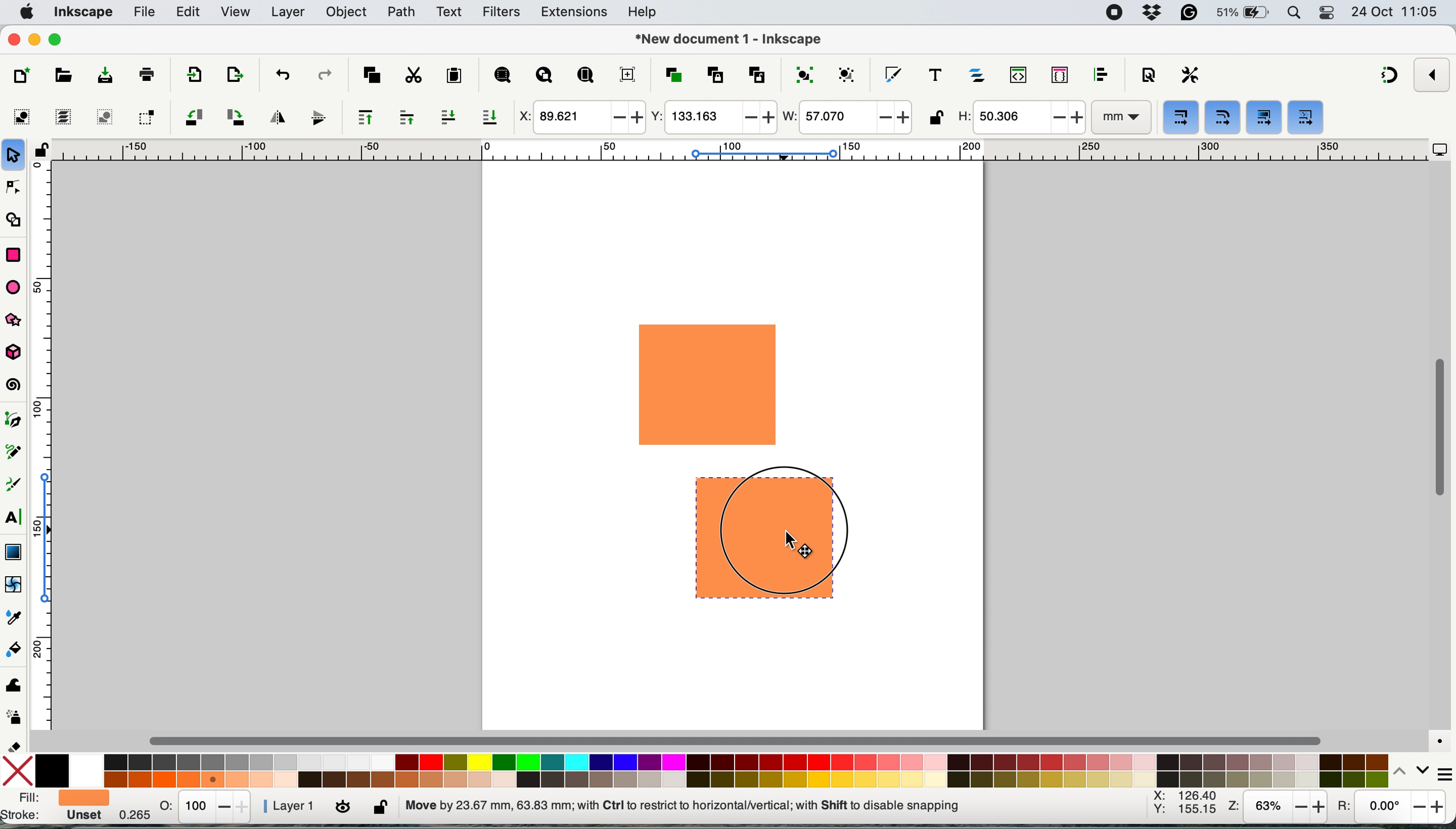 The image size is (1456, 829). Describe the element at coordinates (206, 806) in the screenshot. I see `stats` at that location.